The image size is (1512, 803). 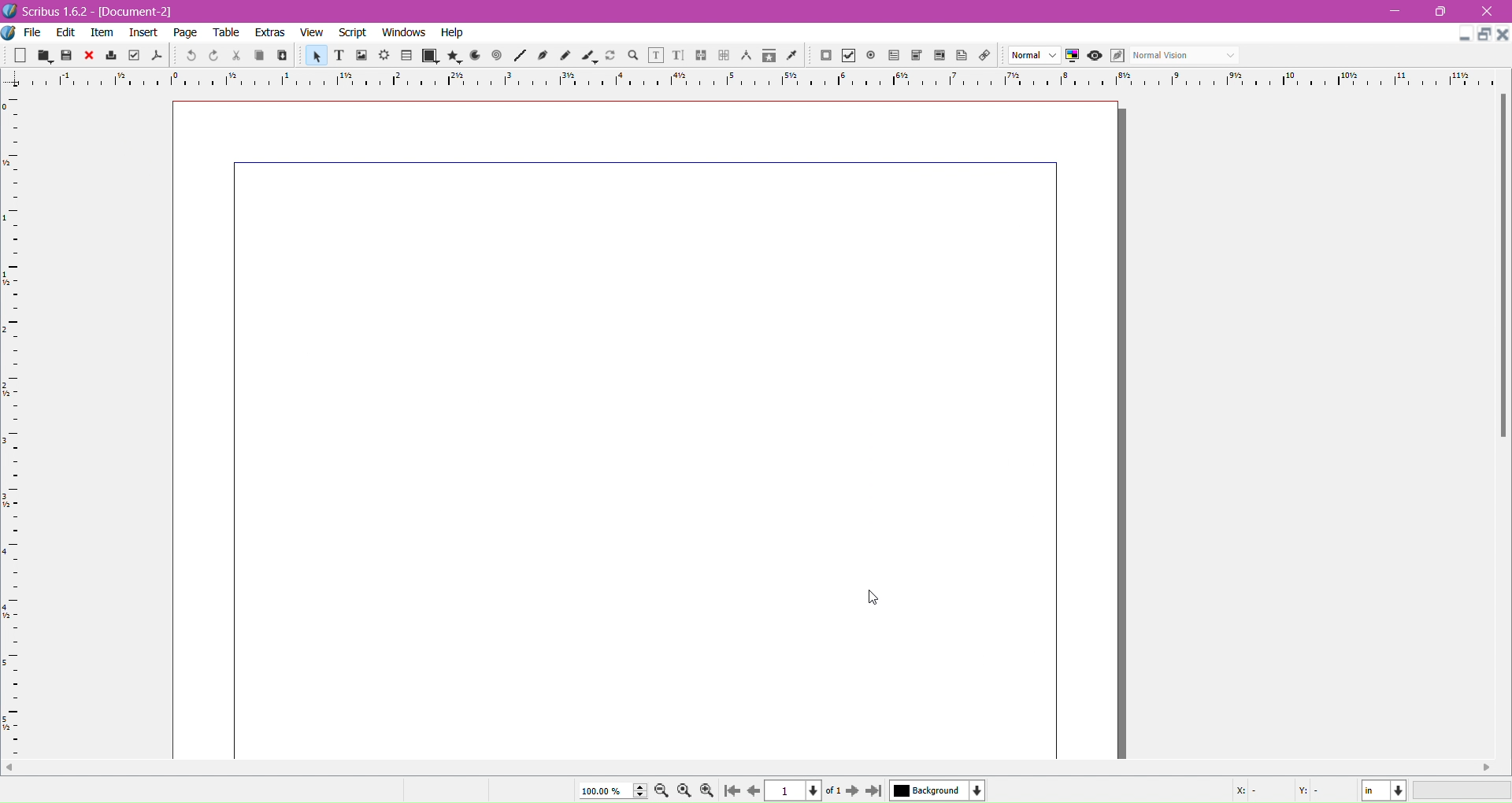 What do you see at coordinates (113, 56) in the screenshot?
I see `icon` at bounding box center [113, 56].